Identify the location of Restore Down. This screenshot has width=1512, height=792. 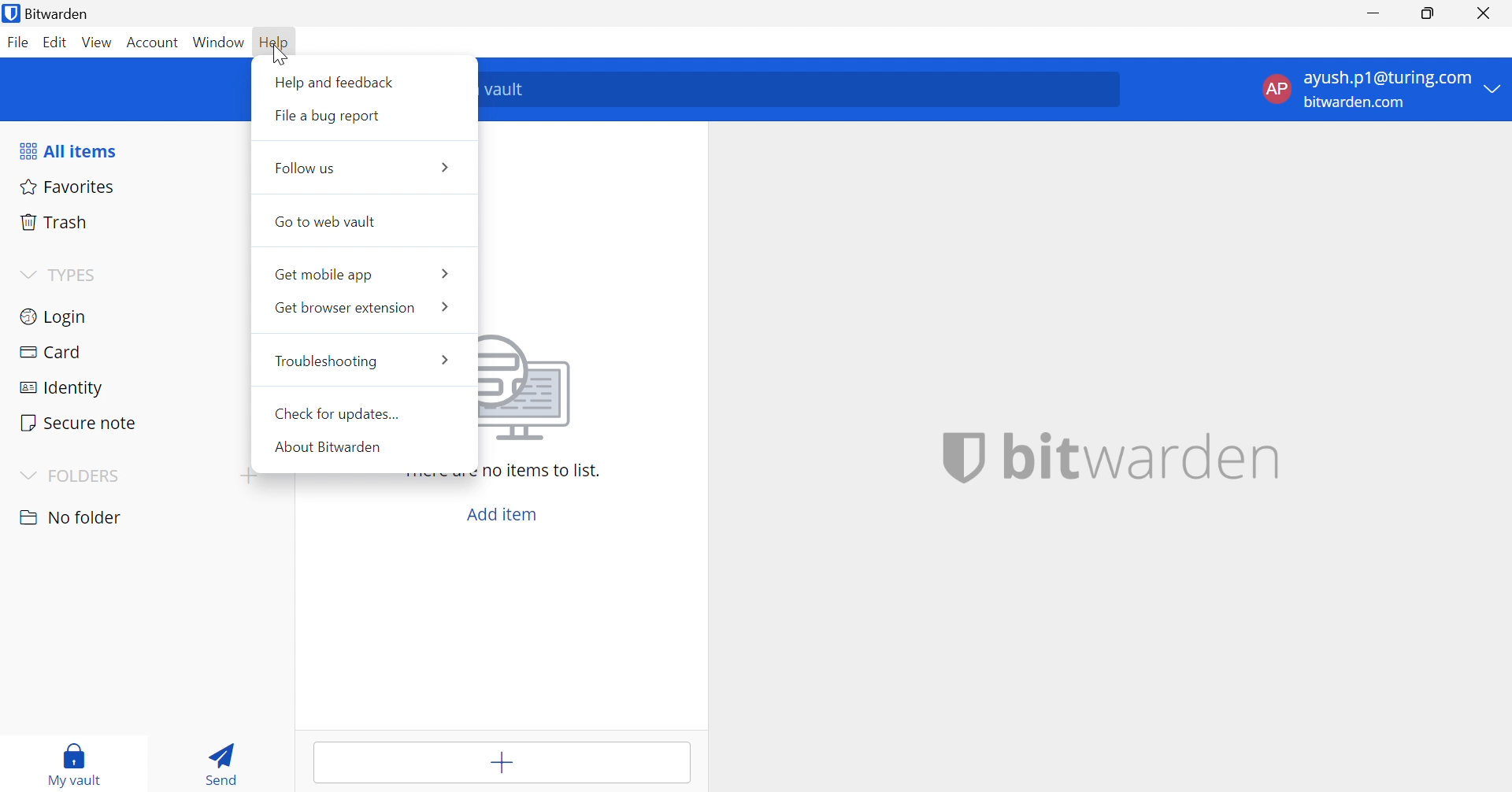
(1433, 13).